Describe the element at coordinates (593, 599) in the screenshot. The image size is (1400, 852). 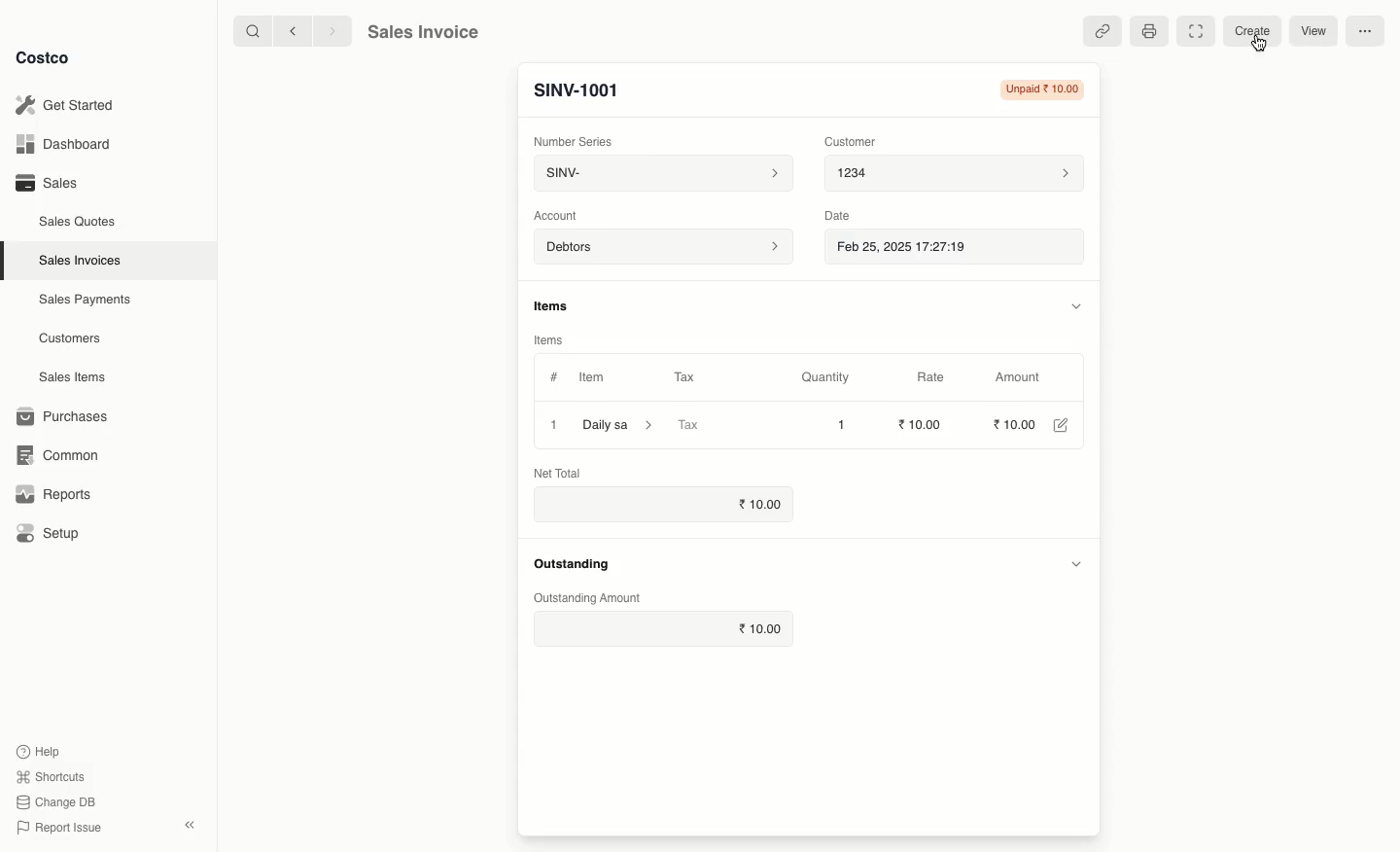
I see `‘Outstanding Amount` at that location.